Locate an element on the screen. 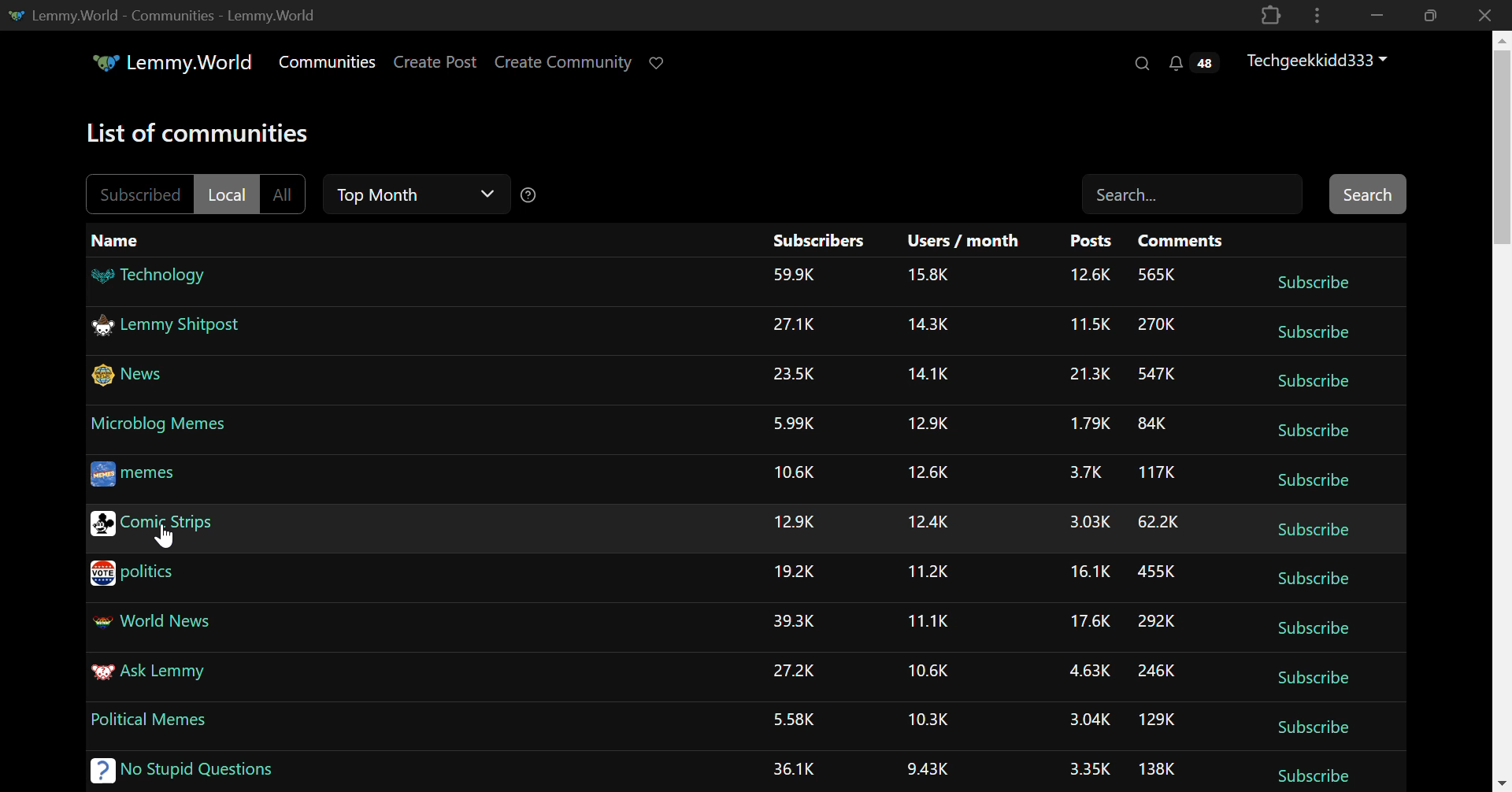 The width and height of the screenshot is (1512, 792). World News is located at coordinates (157, 621).